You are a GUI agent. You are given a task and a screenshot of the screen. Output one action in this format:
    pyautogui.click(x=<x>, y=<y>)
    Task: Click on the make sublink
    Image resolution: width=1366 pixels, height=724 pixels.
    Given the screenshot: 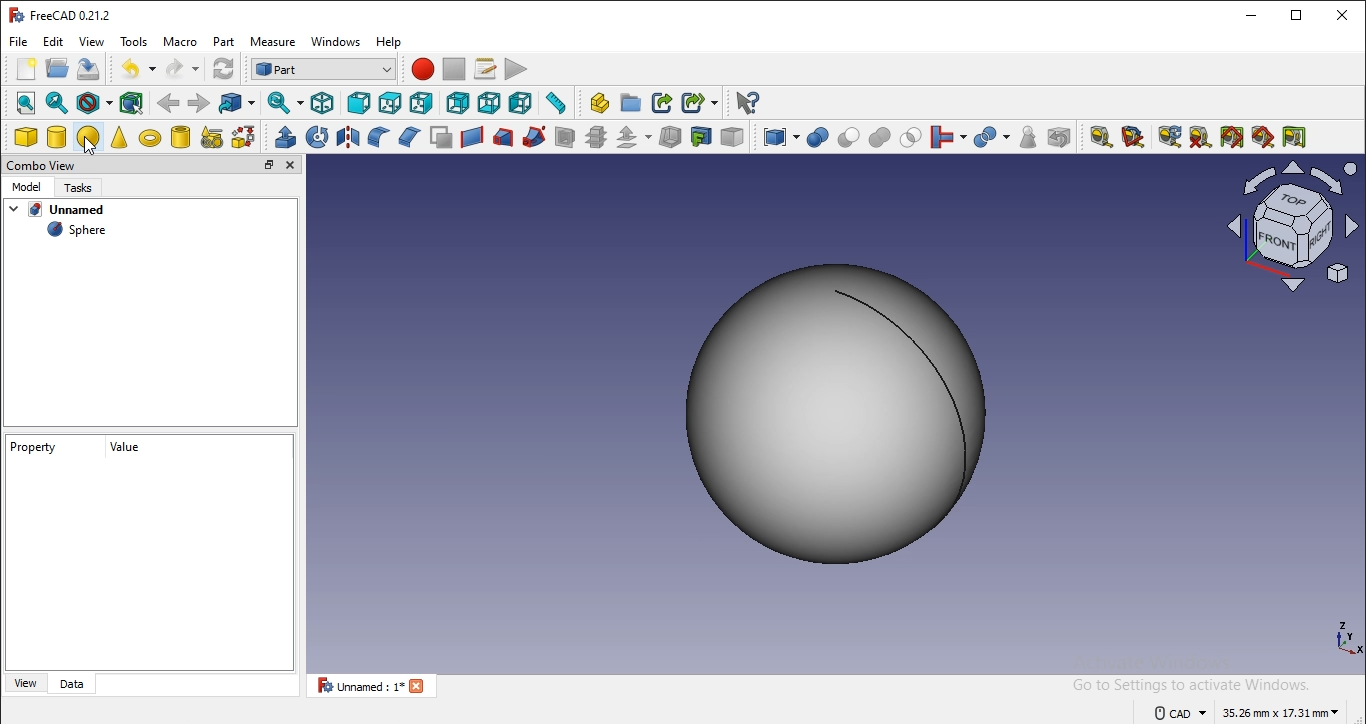 What is the action you would take?
    pyautogui.click(x=698, y=103)
    